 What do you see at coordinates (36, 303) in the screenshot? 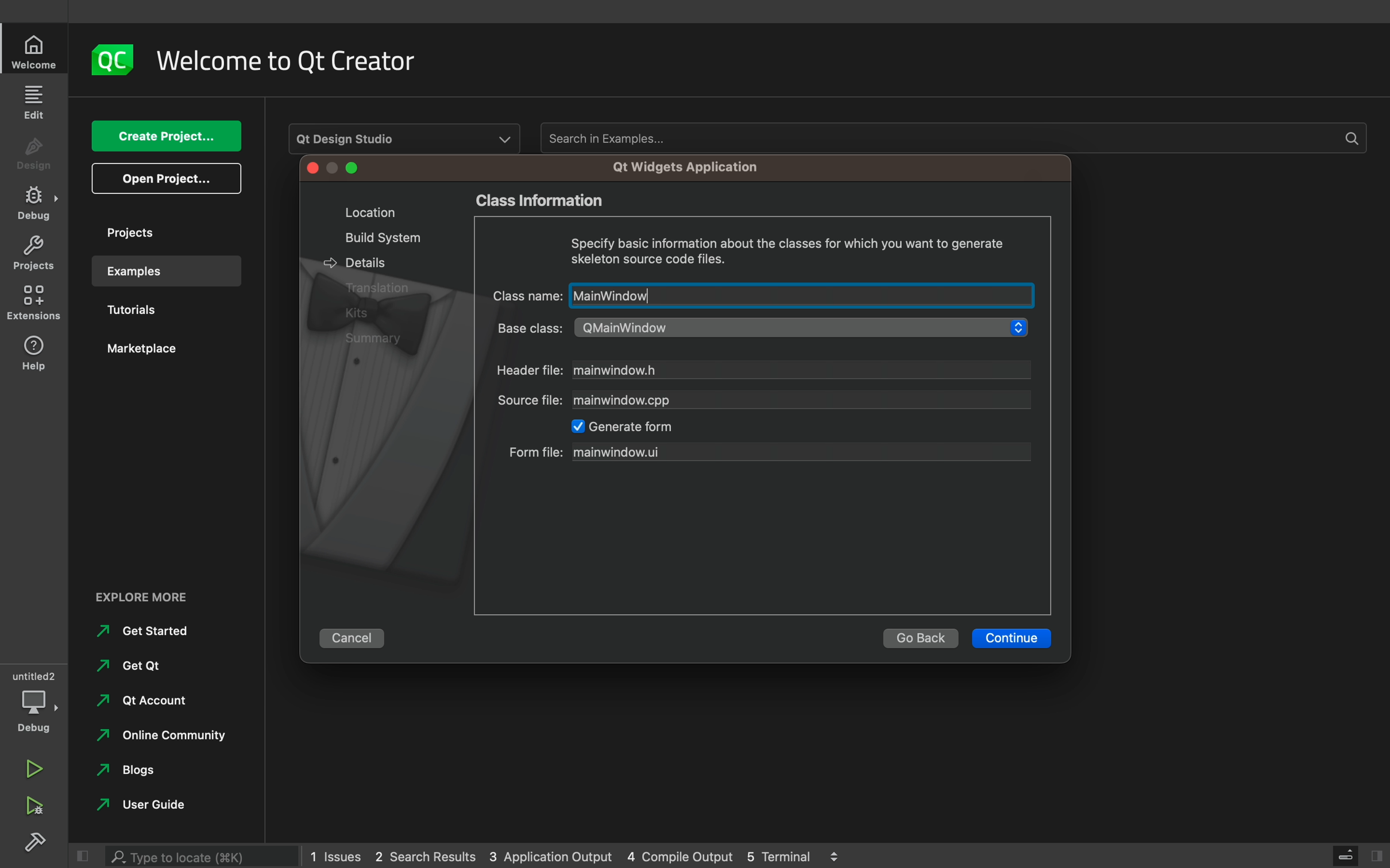
I see `extensions` at bounding box center [36, 303].